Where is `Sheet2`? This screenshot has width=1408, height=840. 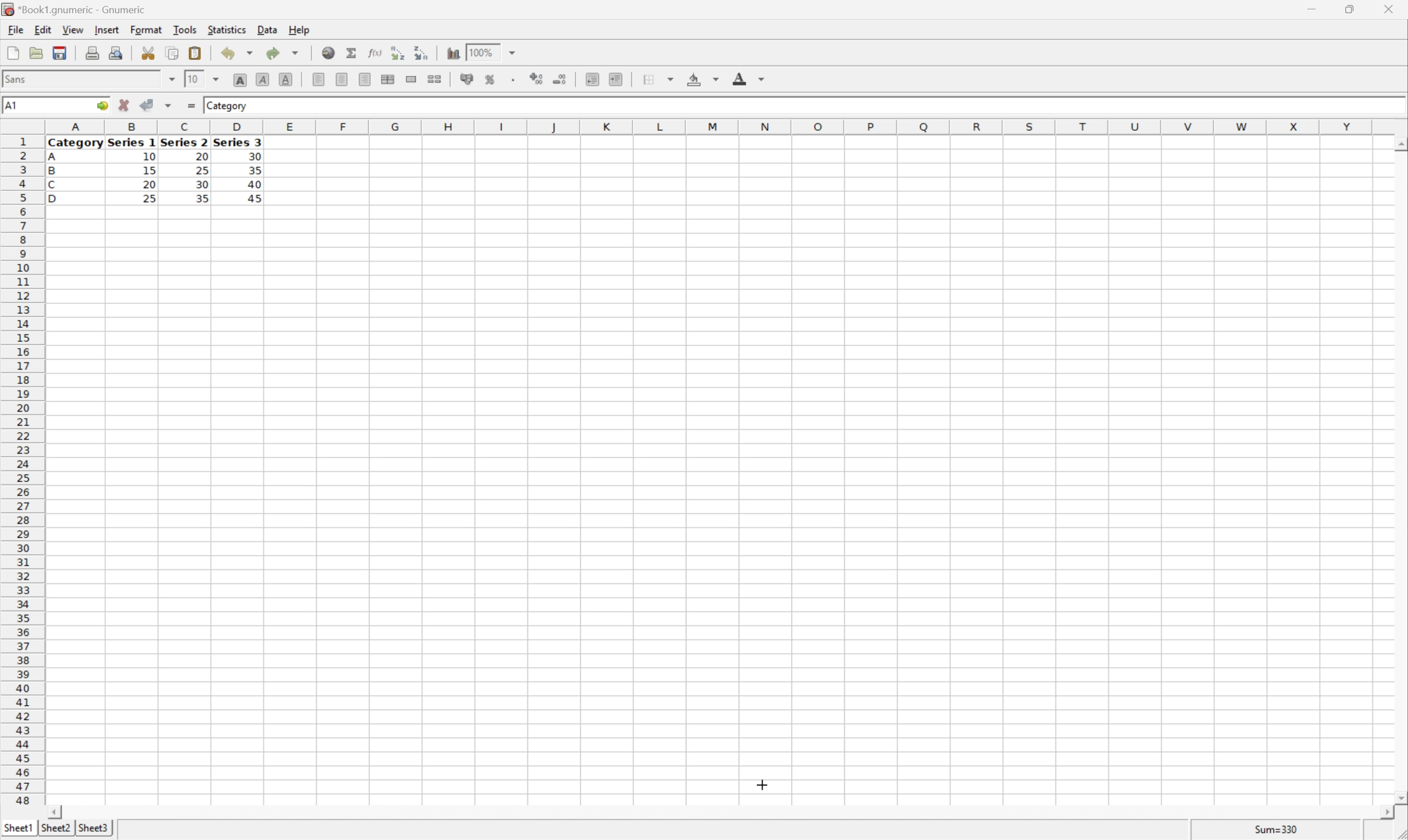 Sheet2 is located at coordinates (55, 828).